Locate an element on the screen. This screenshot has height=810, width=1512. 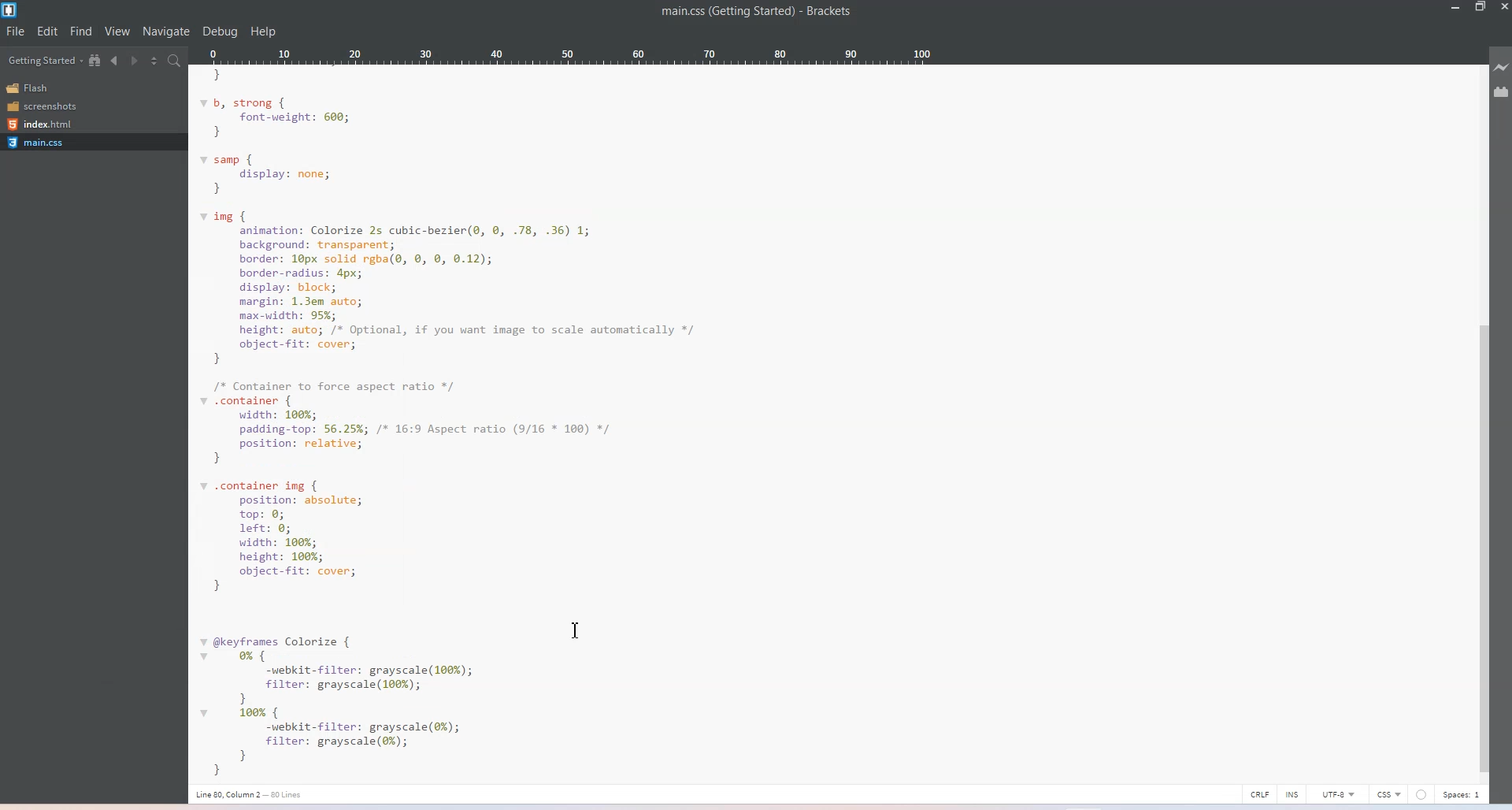
Maximize is located at coordinates (1480, 8).